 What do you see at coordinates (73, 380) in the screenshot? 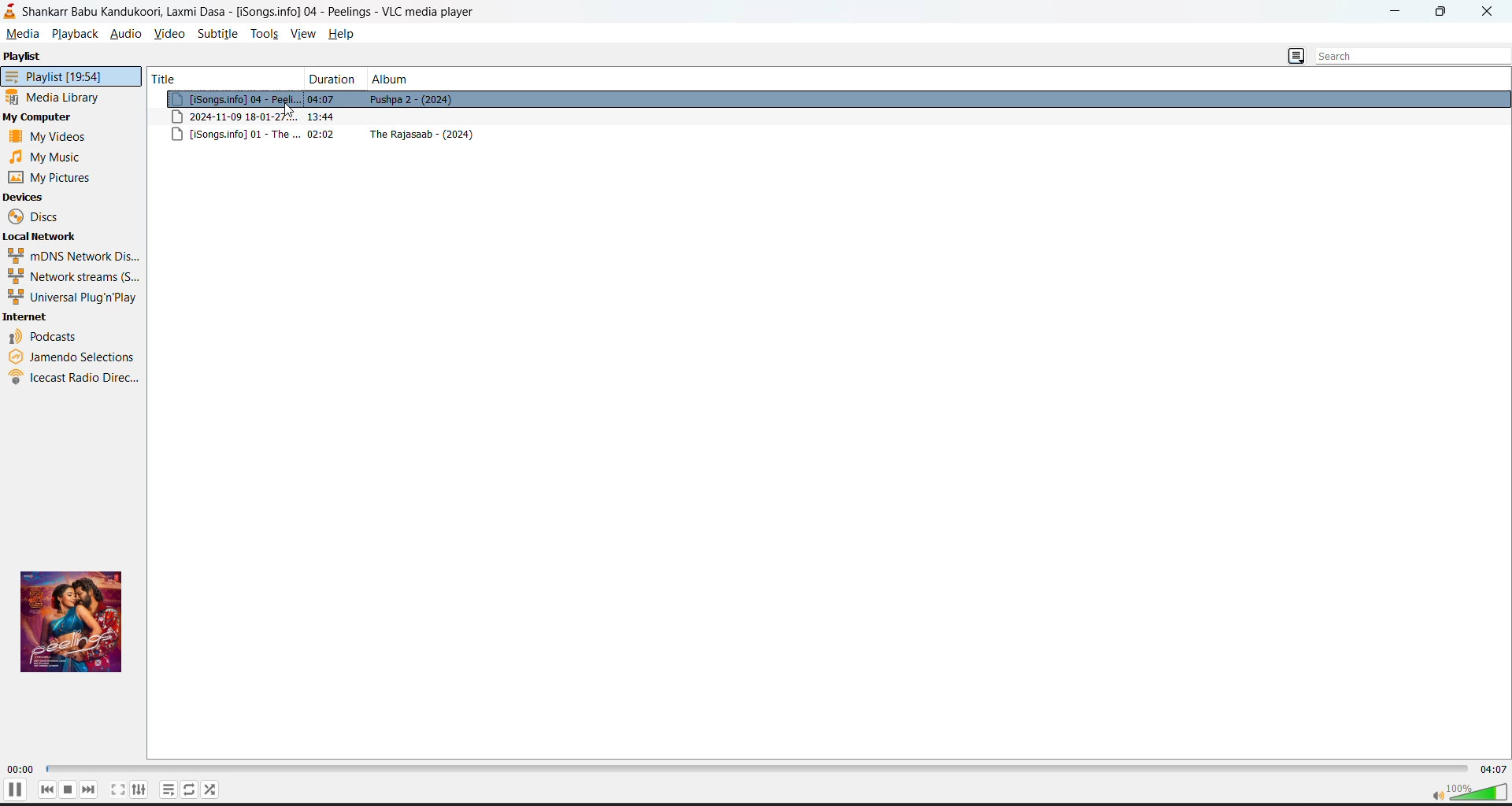
I see `icecast` at bounding box center [73, 380].